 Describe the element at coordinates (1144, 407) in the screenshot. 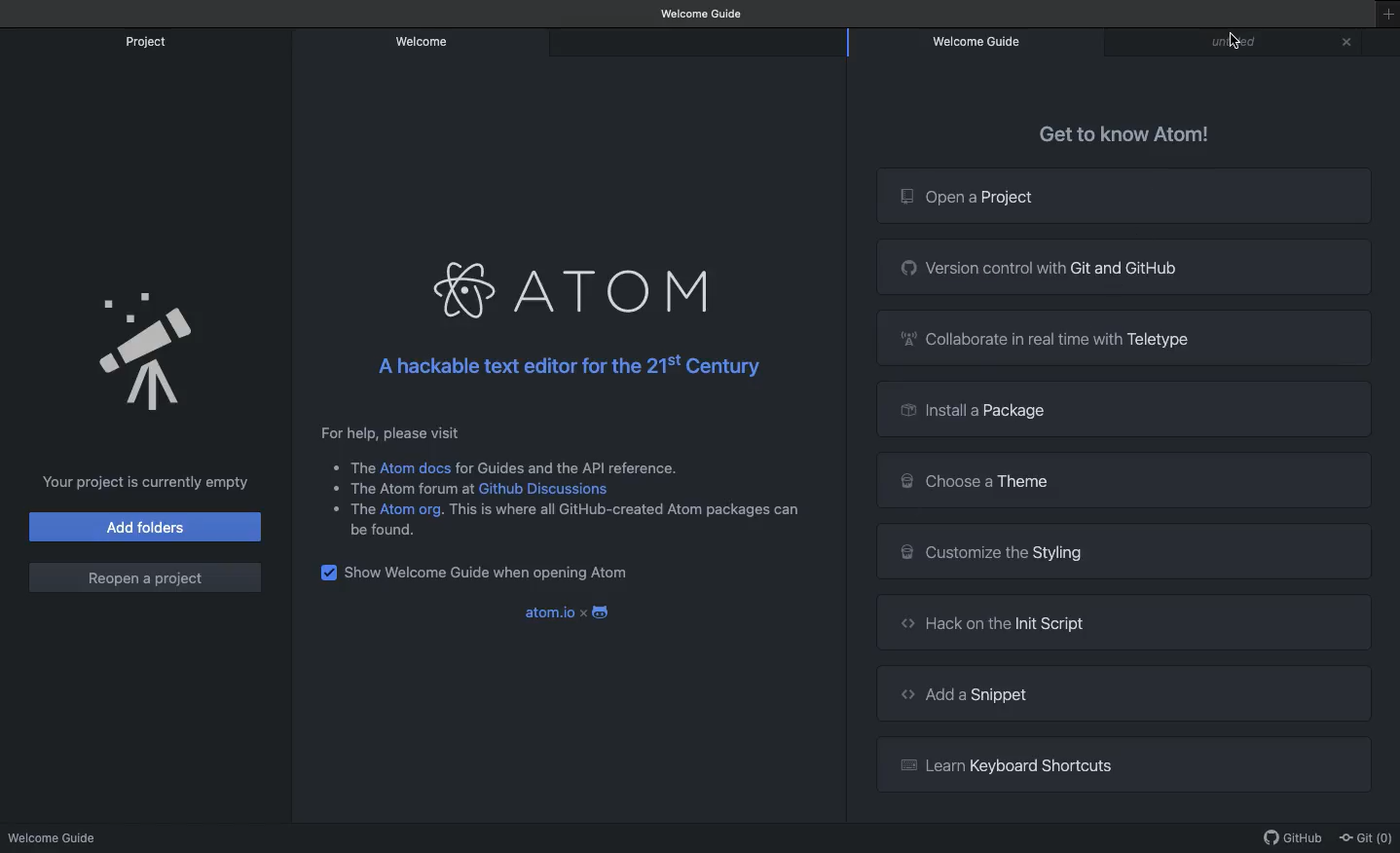

I see `Install a package` at that location.